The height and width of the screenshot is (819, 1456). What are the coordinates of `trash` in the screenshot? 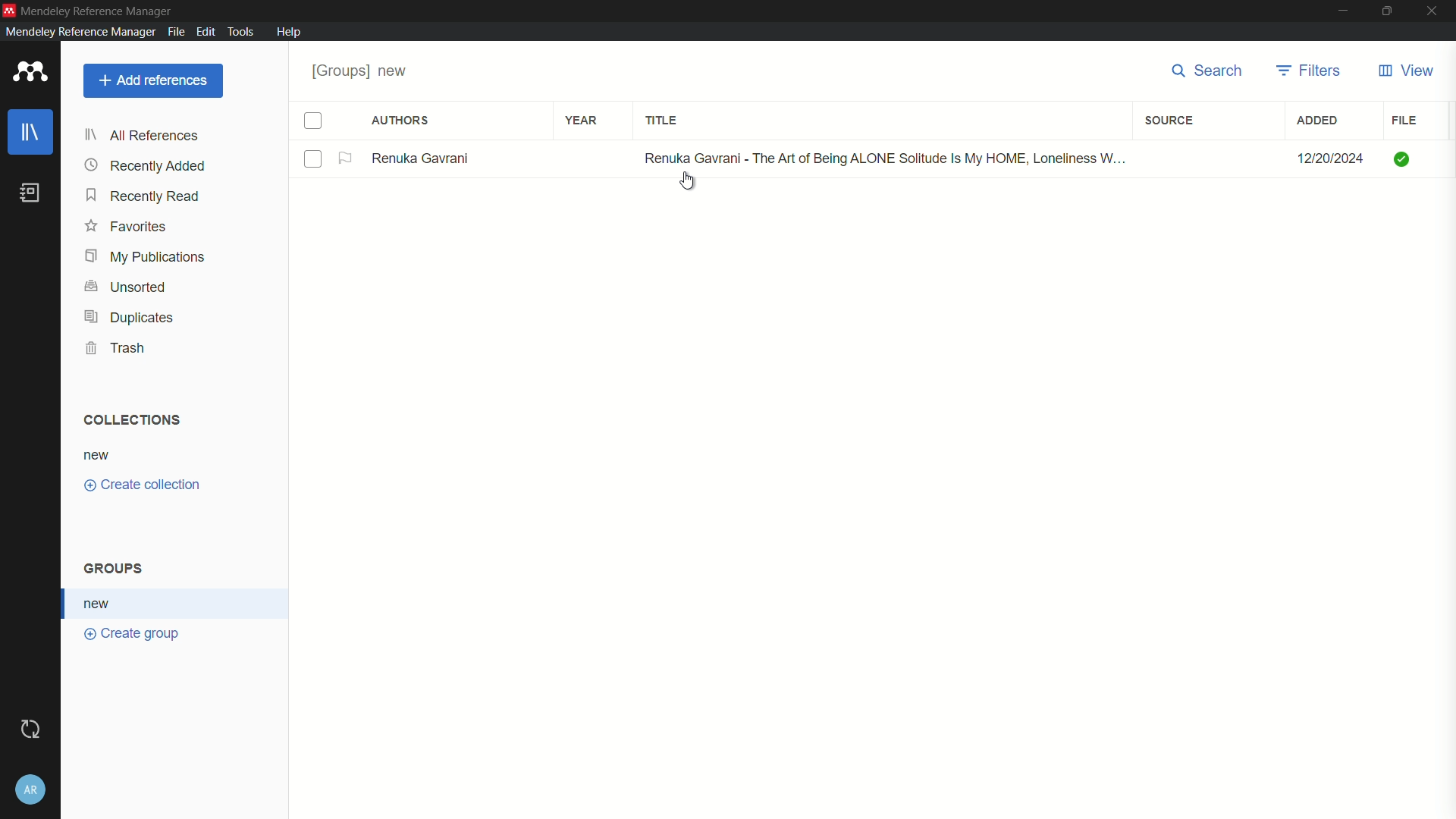 It's located at (115, 348).